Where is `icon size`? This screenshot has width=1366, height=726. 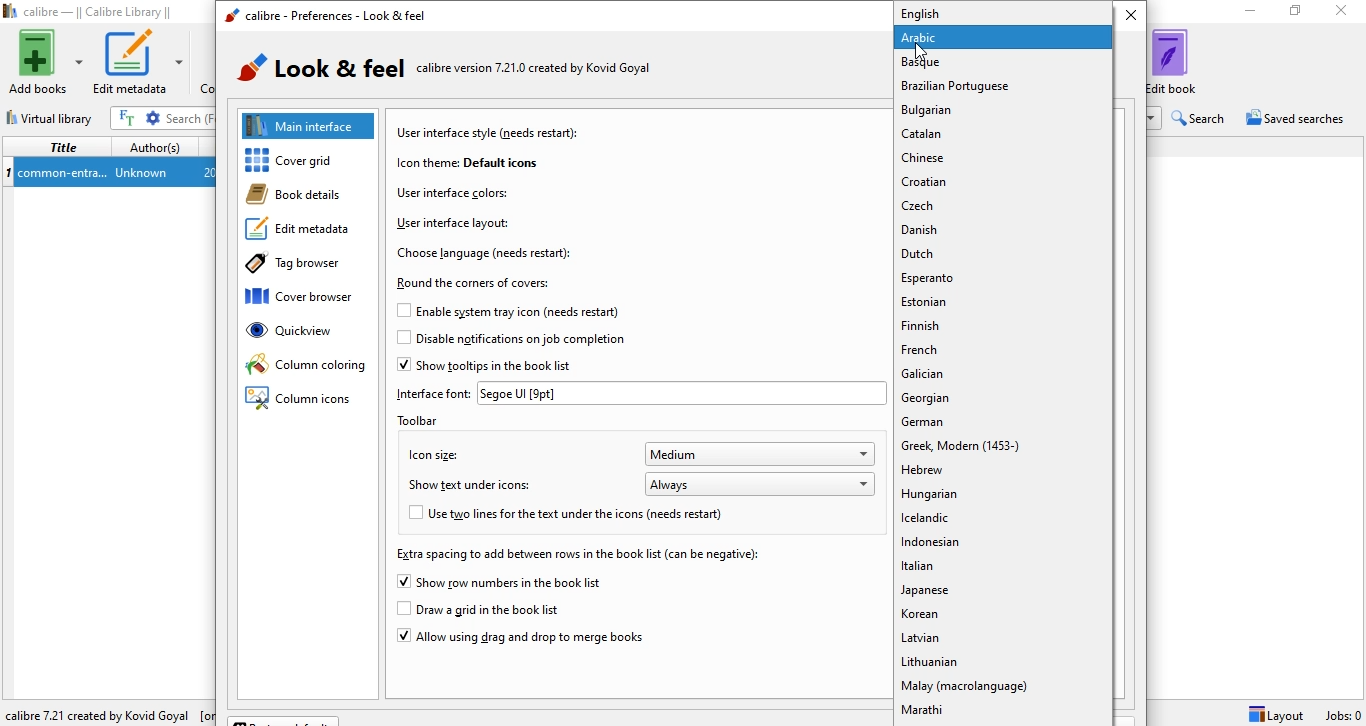
icon size is located at coordinates (430, 453).